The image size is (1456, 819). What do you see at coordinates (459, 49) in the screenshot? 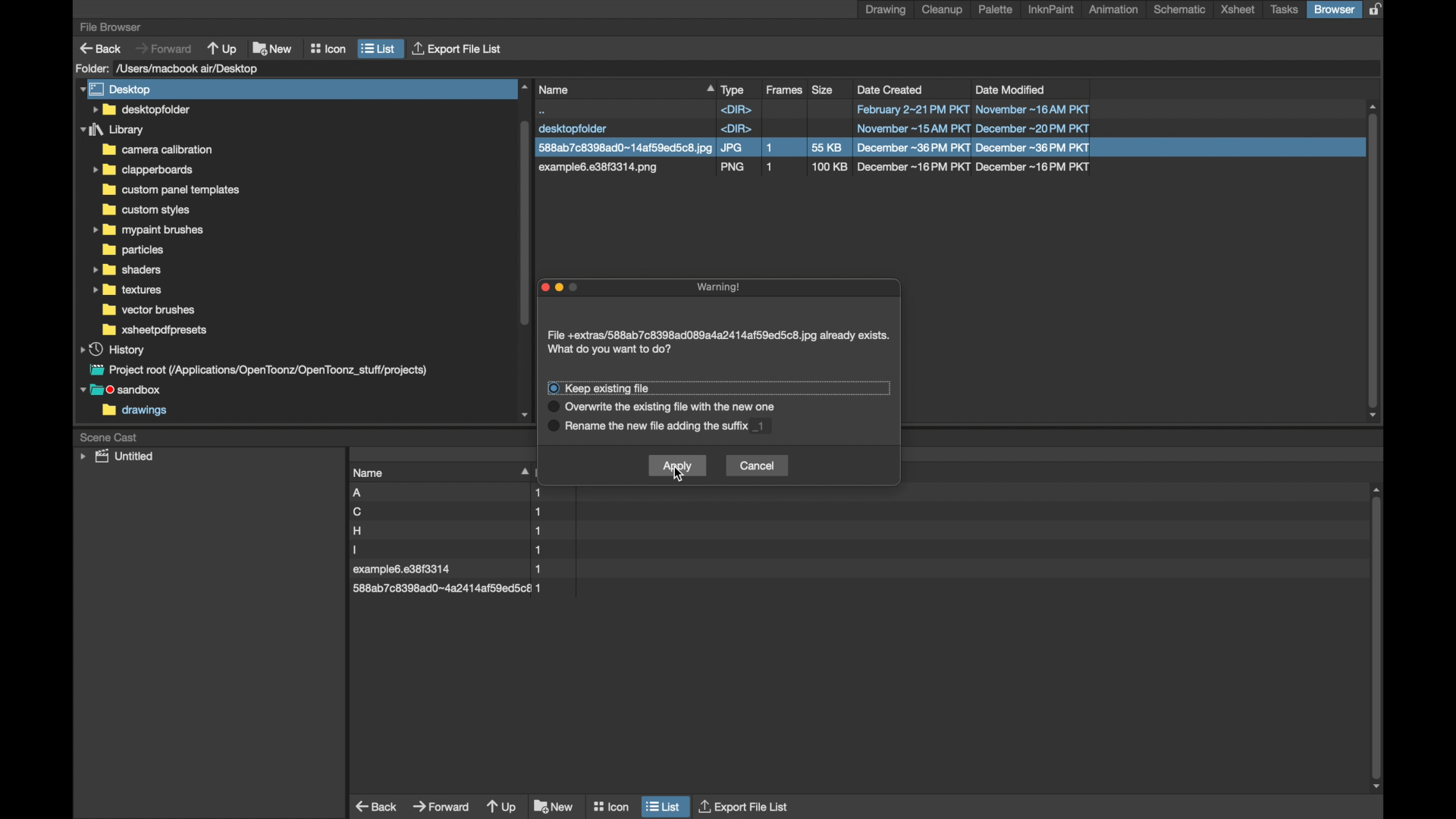
I see `export file list` at bounding box center [459, 49].